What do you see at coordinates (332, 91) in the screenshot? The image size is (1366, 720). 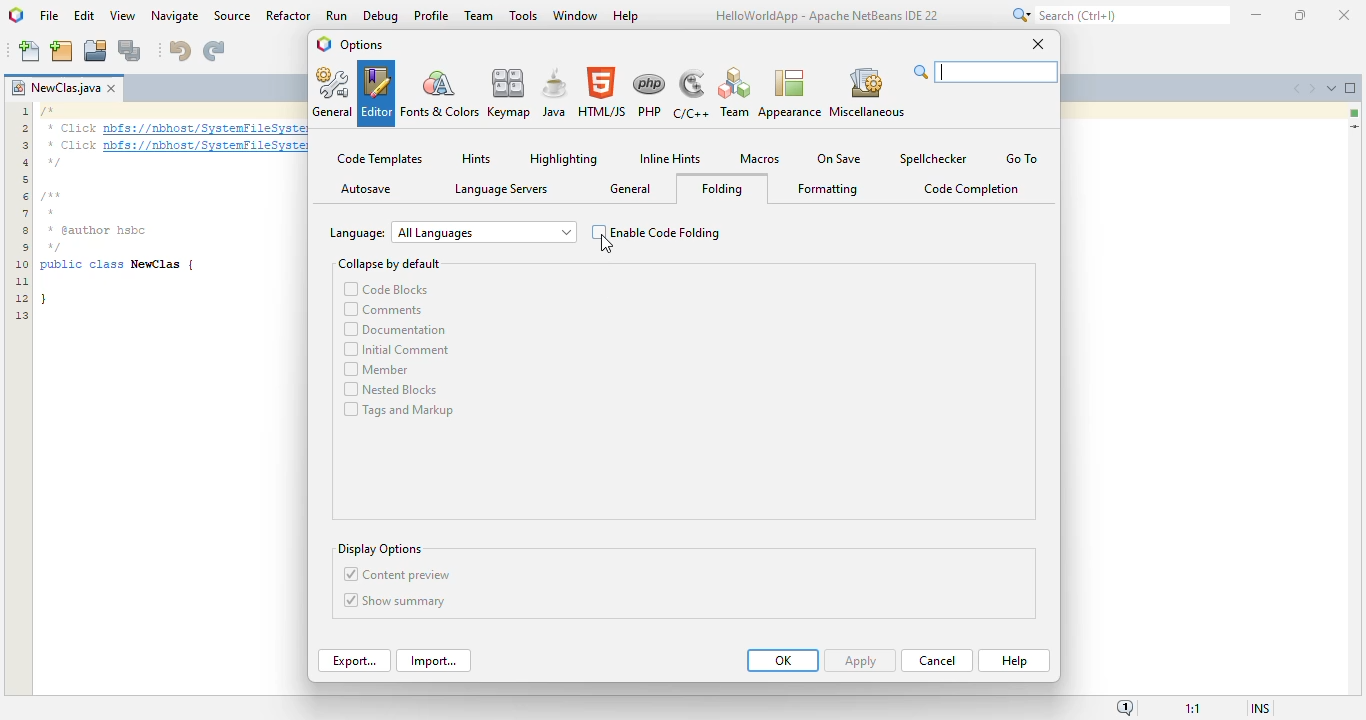 I see `general` at bounding box center [332, 91].